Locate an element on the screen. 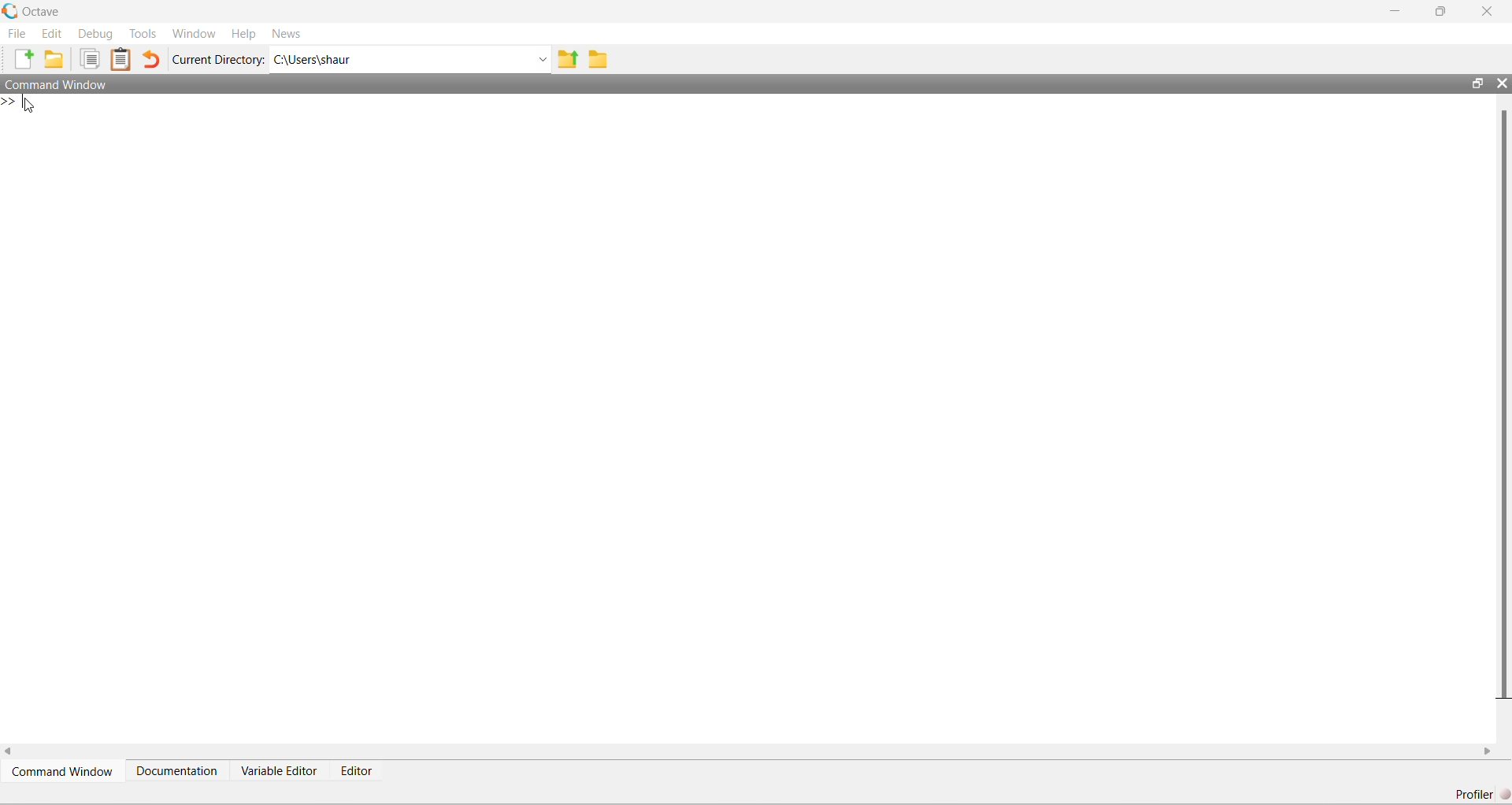 This screenshot has width=1512, height=805. cursor is located at coordinates (30, 106).